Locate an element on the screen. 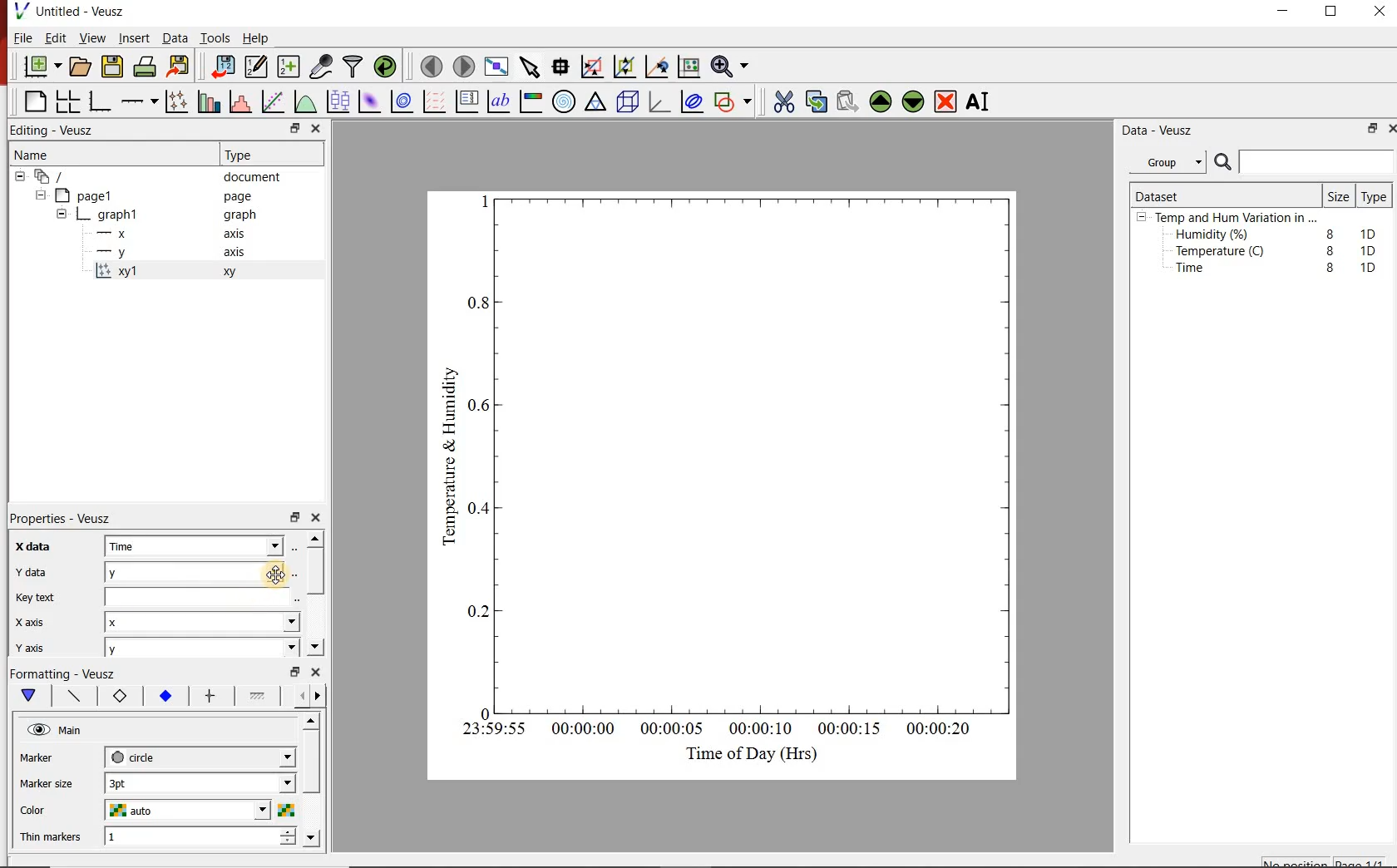 The image size is (1397, 868). Type is located at coordinates (249, 155).